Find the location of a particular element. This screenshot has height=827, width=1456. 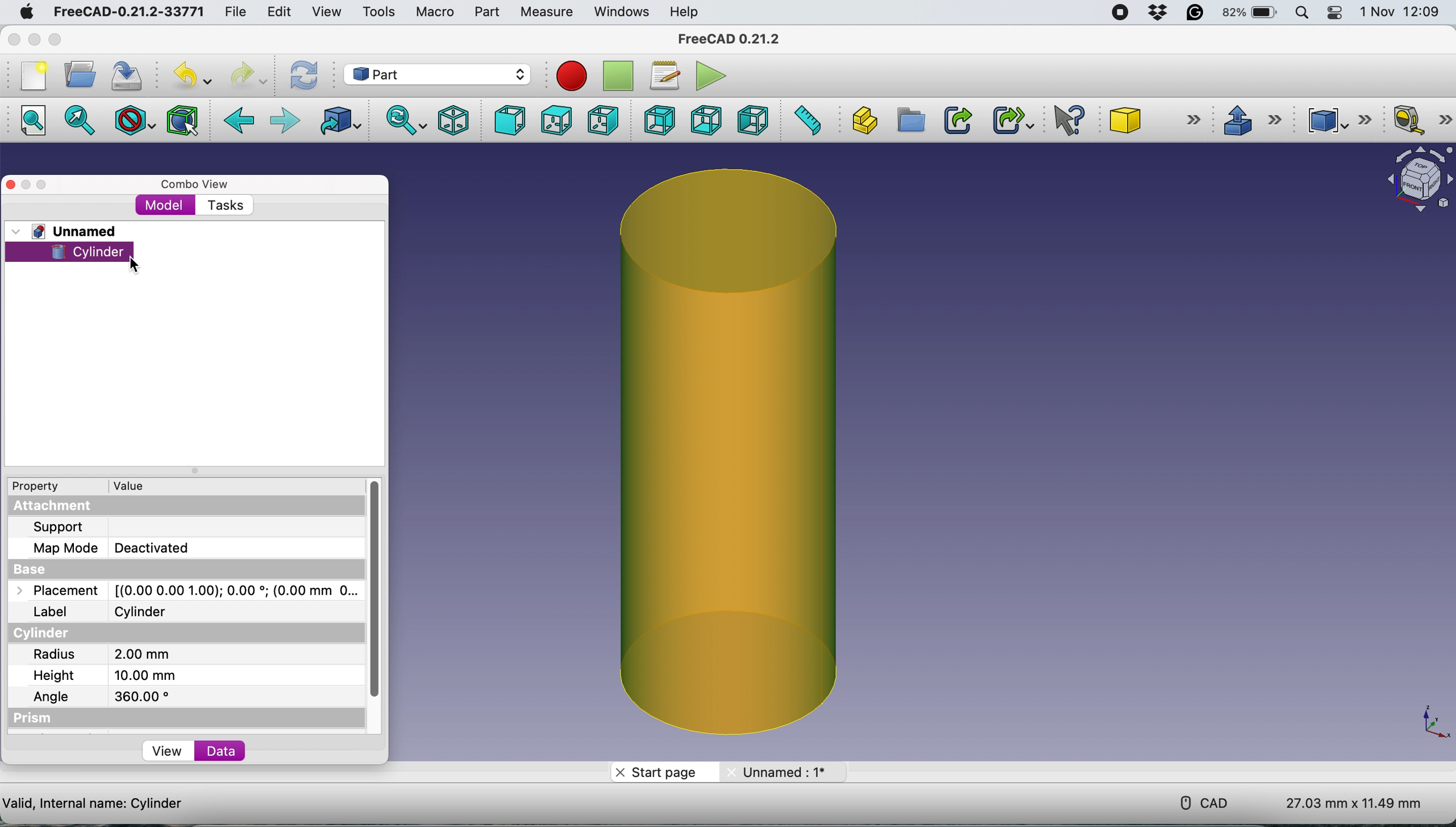

freecad is located at coordinates (729, 36).